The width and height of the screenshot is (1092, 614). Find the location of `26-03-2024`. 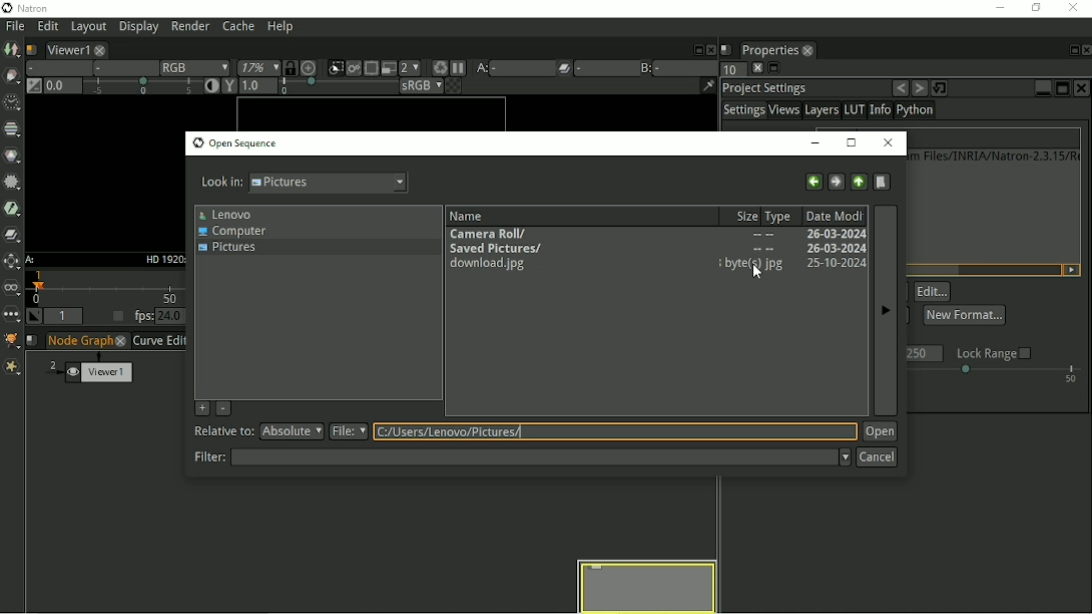

26-03-2024 is located at coordinates (798, 249).